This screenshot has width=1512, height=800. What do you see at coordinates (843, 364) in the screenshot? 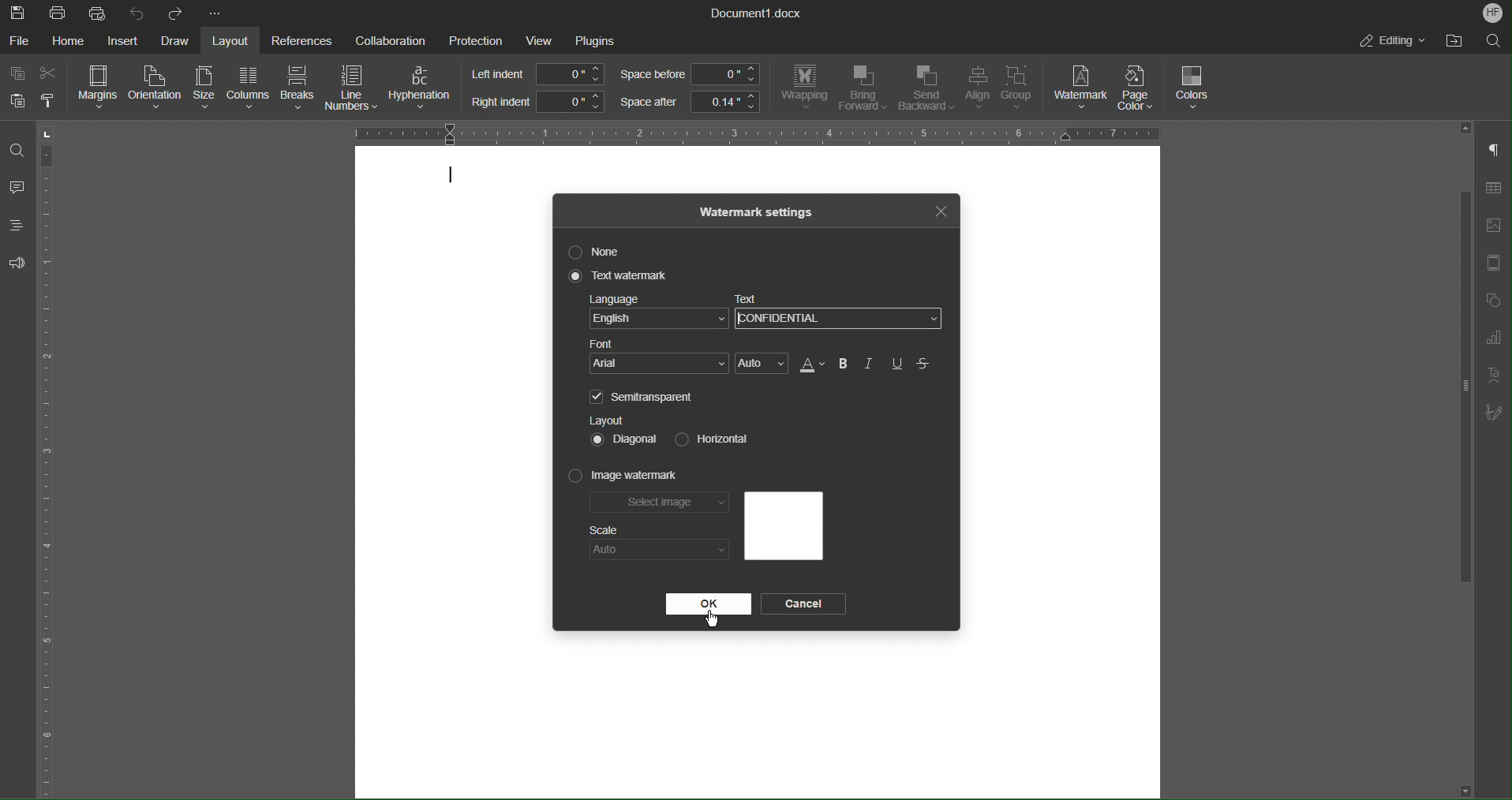
I see `Bold` at bounding box center [843, 364].